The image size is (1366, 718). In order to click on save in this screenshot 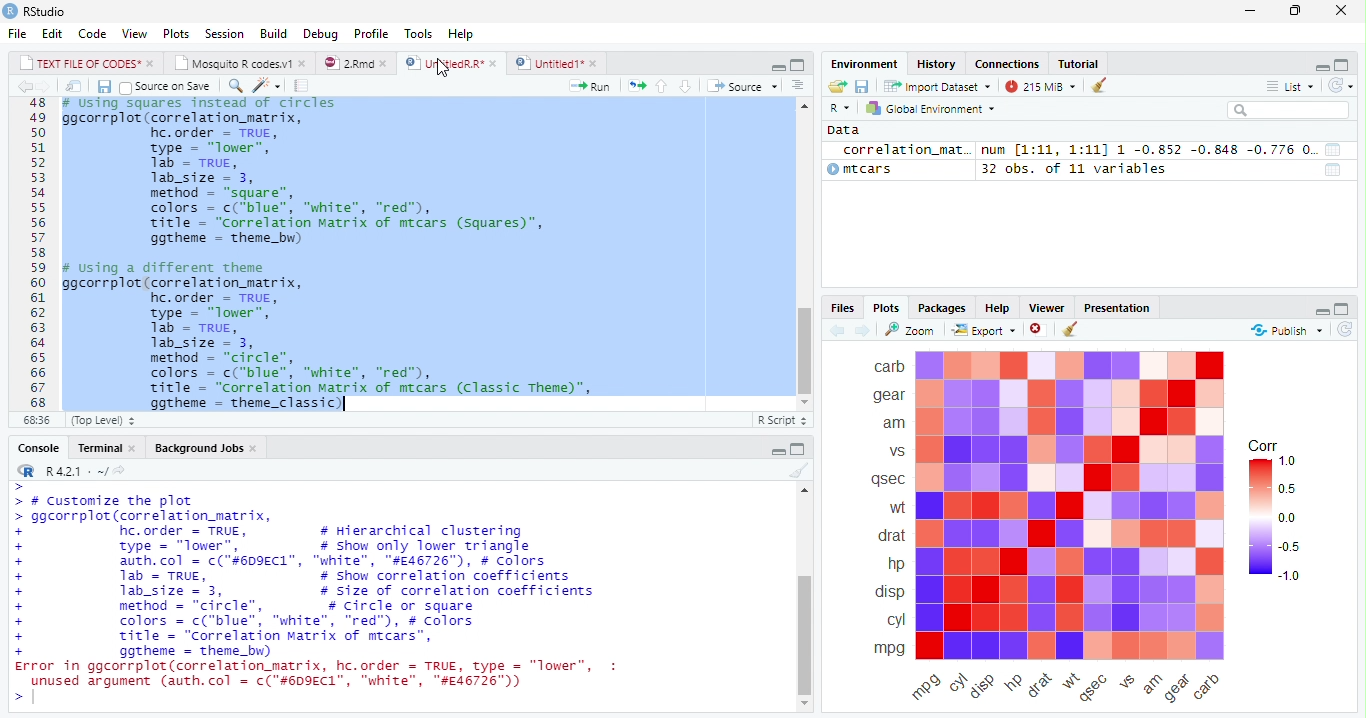, I will do `click(864, 87)`.